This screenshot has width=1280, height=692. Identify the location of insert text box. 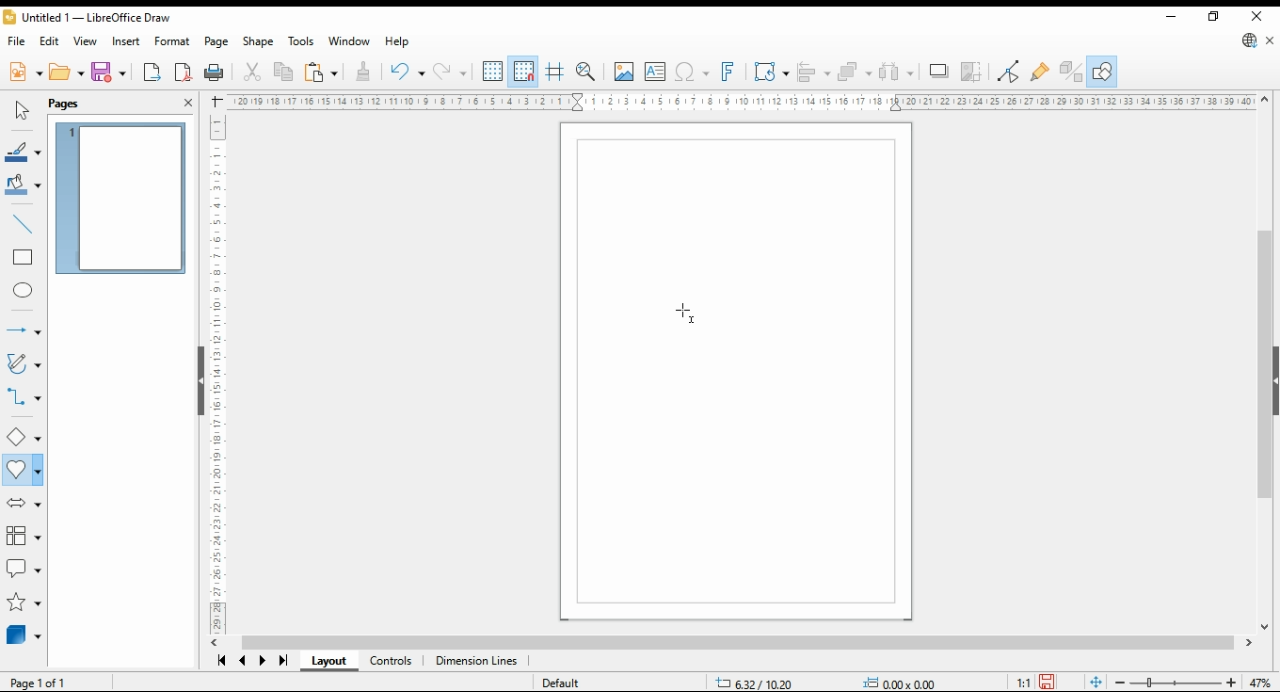
(656, 72).